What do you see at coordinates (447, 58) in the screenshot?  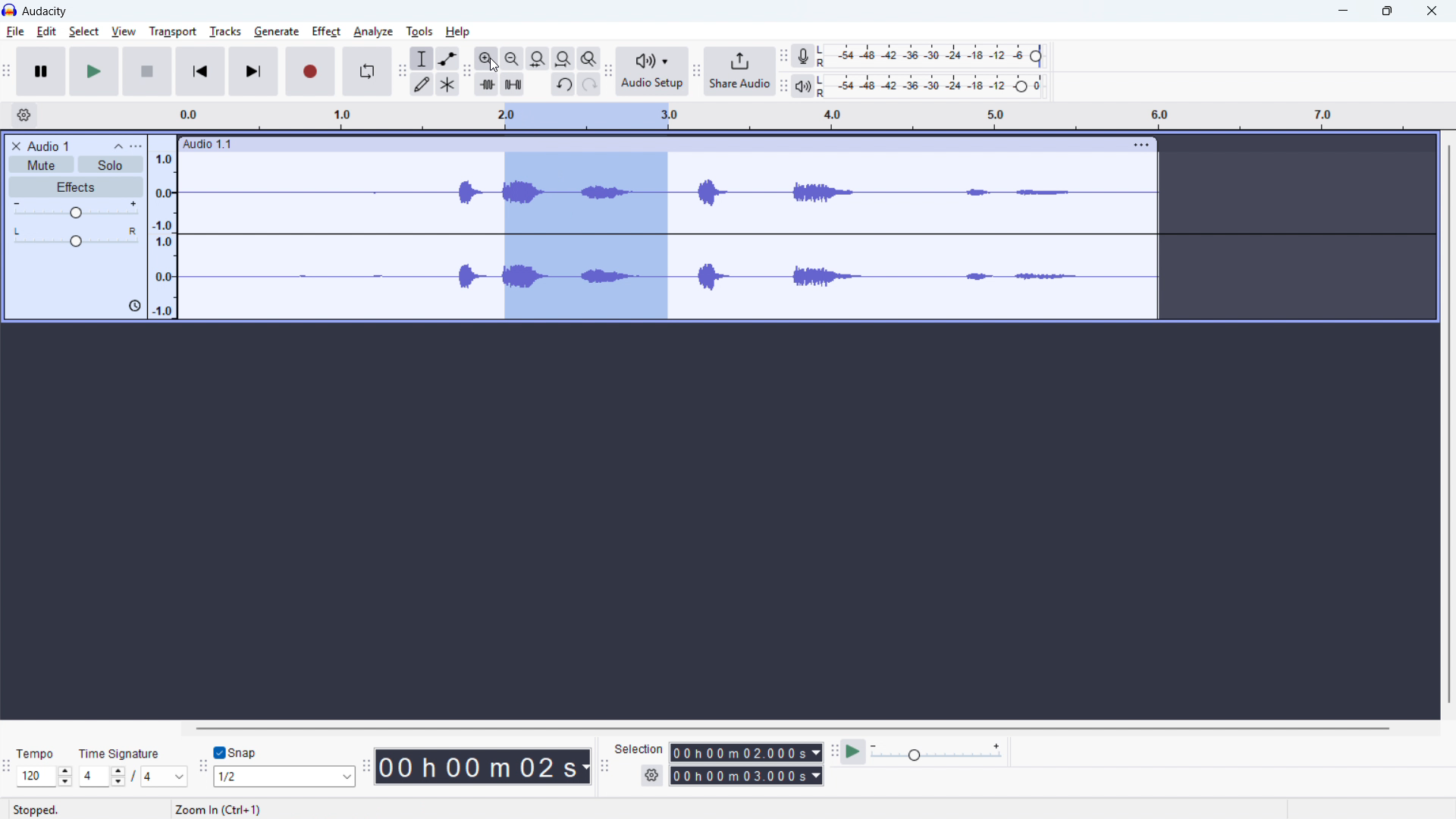 I see `Envelope tool` at bounding box center [447, 58].